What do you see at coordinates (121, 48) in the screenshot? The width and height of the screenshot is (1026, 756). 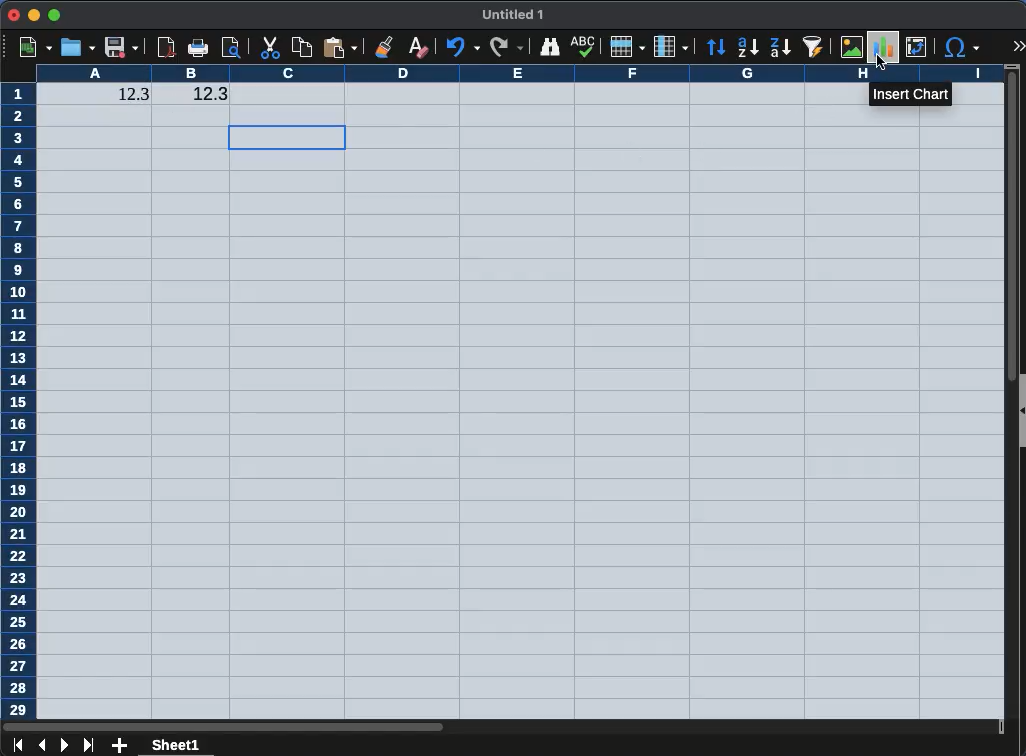 I see `save` at bounding box center [121, 48].